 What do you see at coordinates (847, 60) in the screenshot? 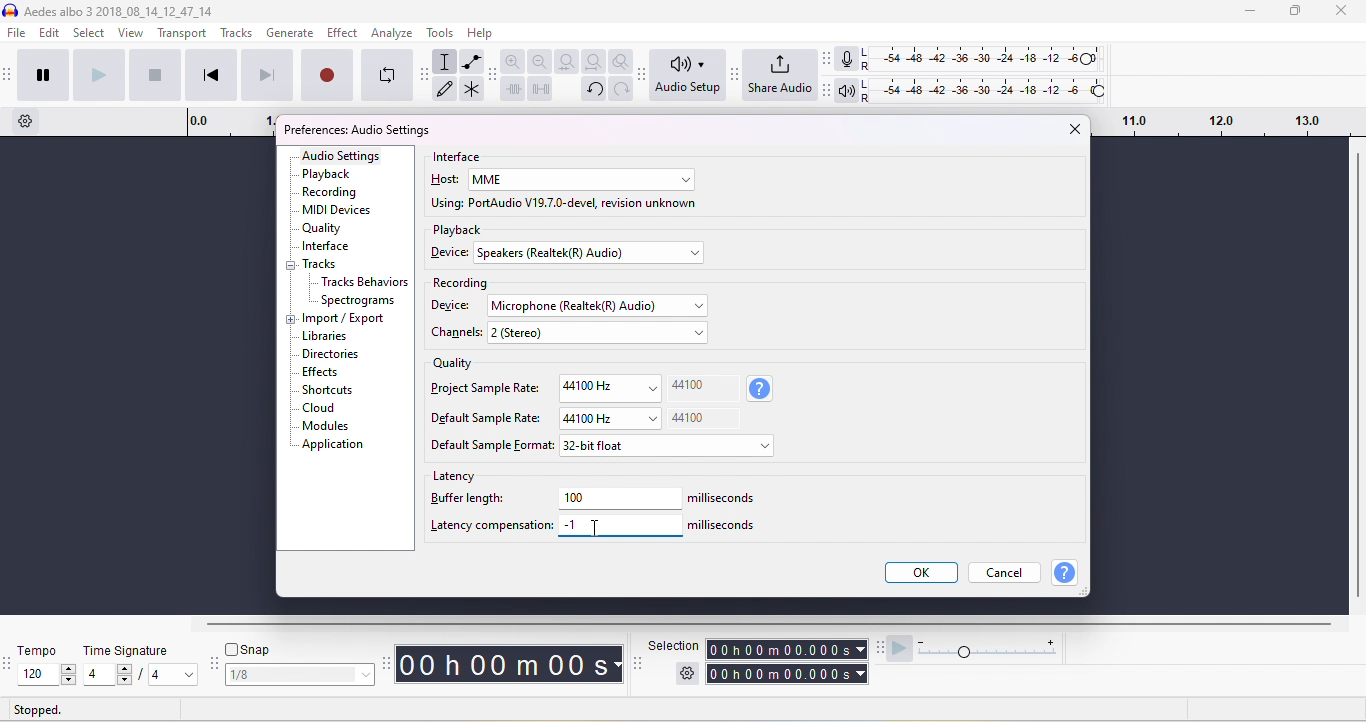
I see `recording meter` at bounding box center [847, 60].